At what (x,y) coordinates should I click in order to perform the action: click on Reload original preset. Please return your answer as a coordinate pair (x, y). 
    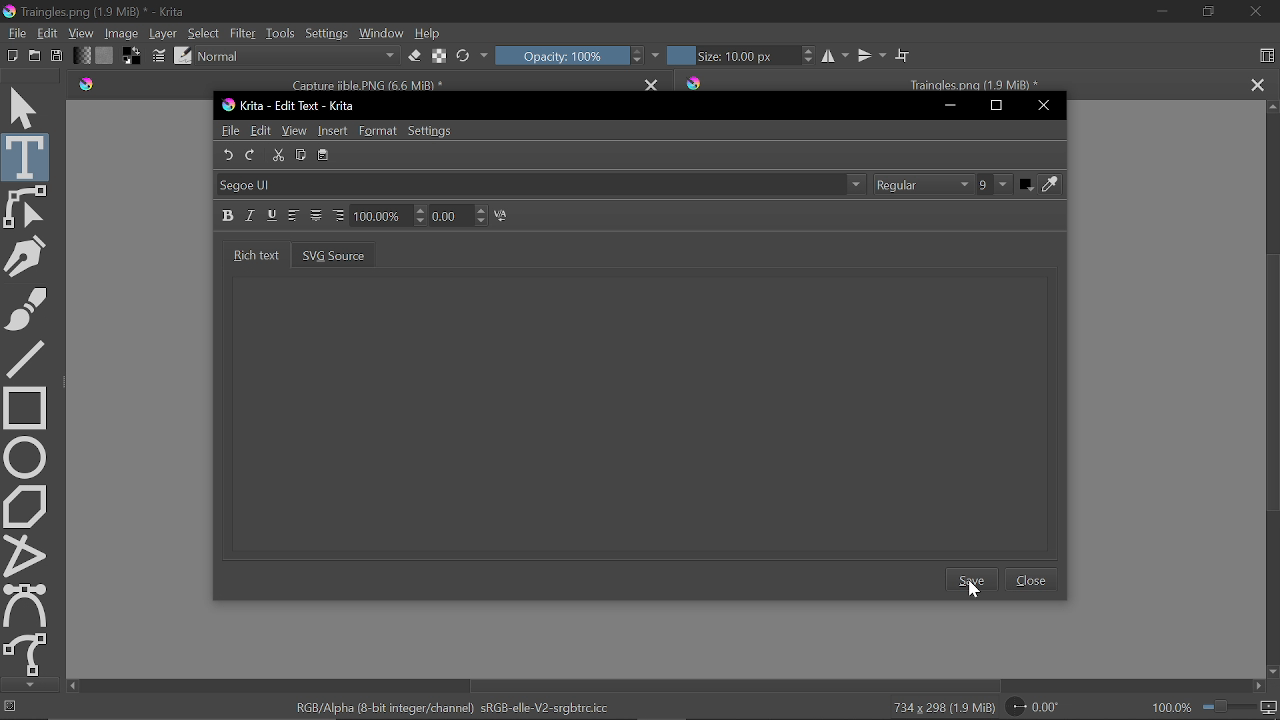
    Looking at the image, I should click on (462, 56).